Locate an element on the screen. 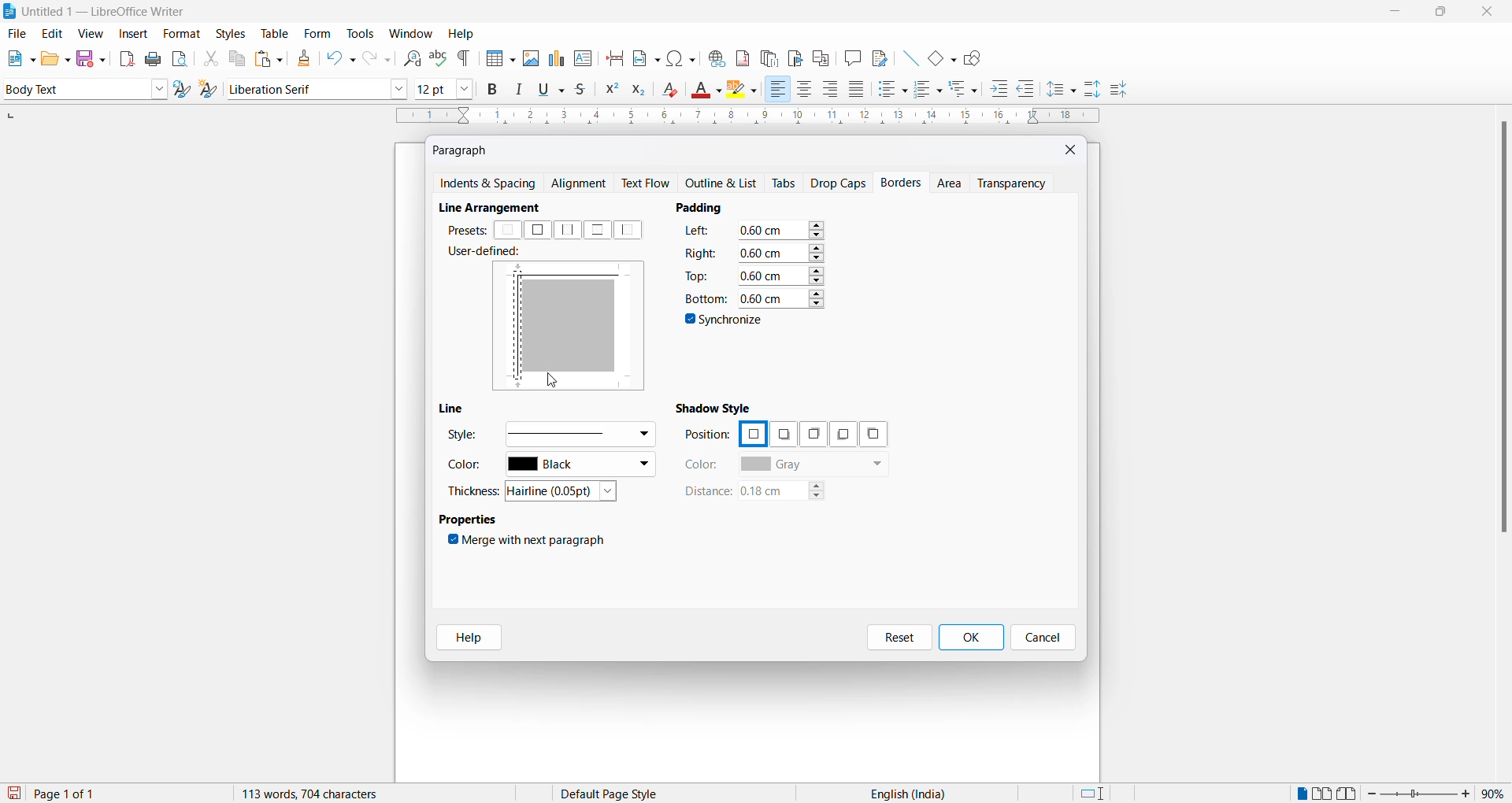 This screenshot has width=1512, height=803. position is located at coordinates (707, 435).